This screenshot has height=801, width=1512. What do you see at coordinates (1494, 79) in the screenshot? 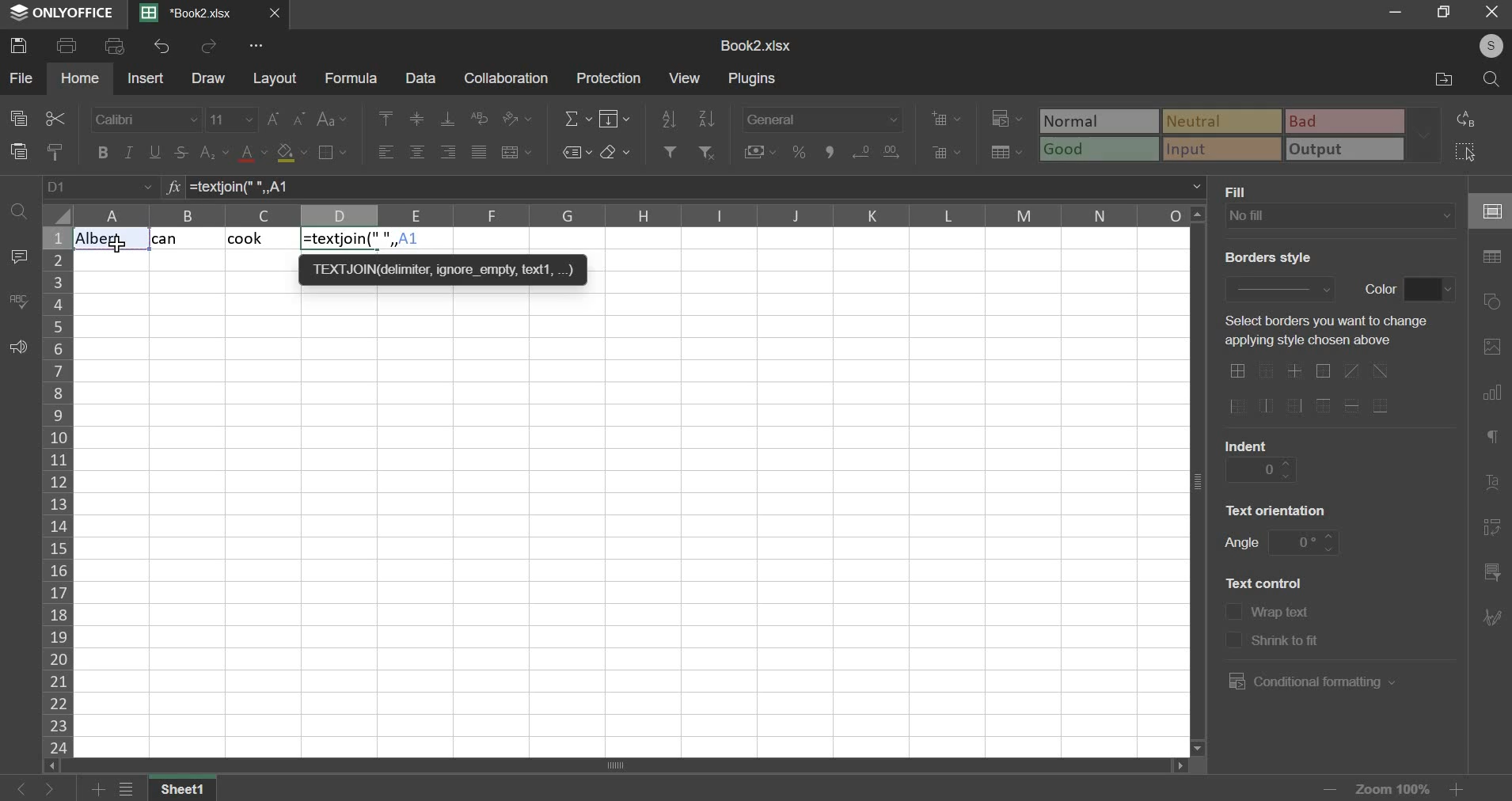
I see `search` at bounding box center [1494, 79].